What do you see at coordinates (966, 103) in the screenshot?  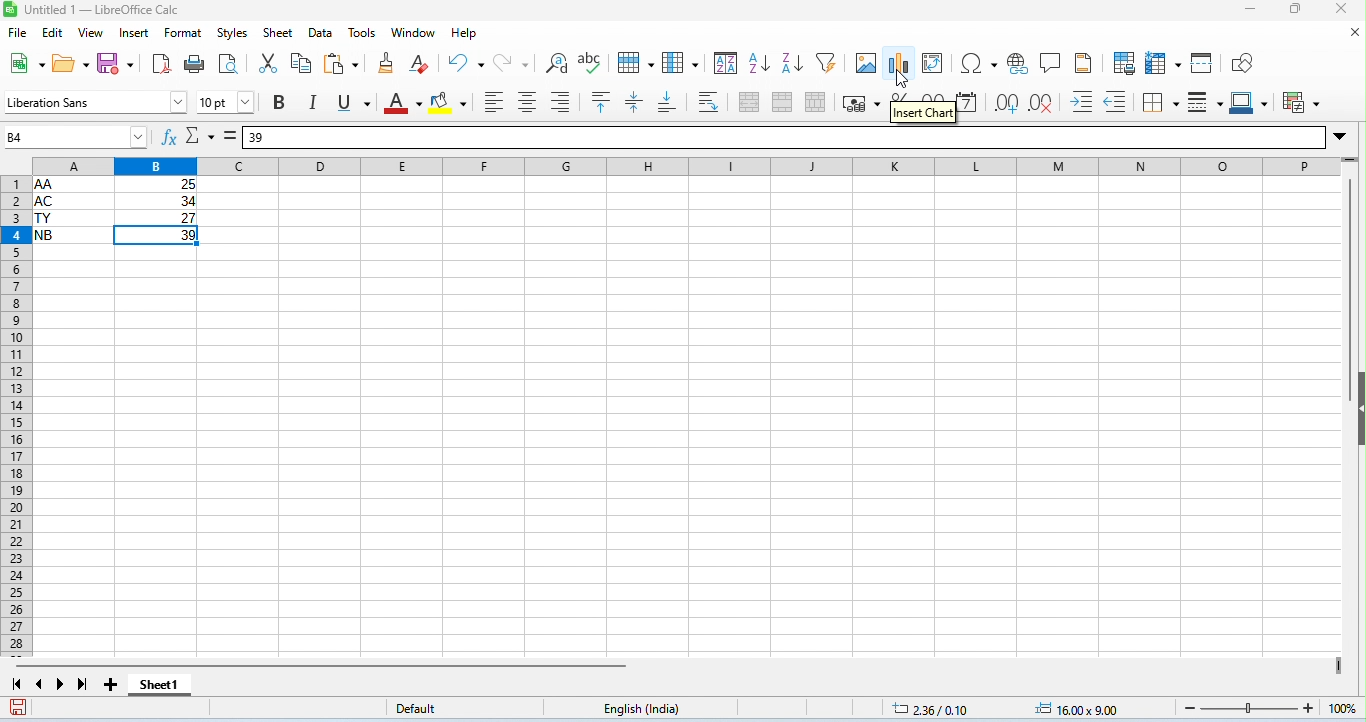 I see `format as date` at bounding box center [966, 103].